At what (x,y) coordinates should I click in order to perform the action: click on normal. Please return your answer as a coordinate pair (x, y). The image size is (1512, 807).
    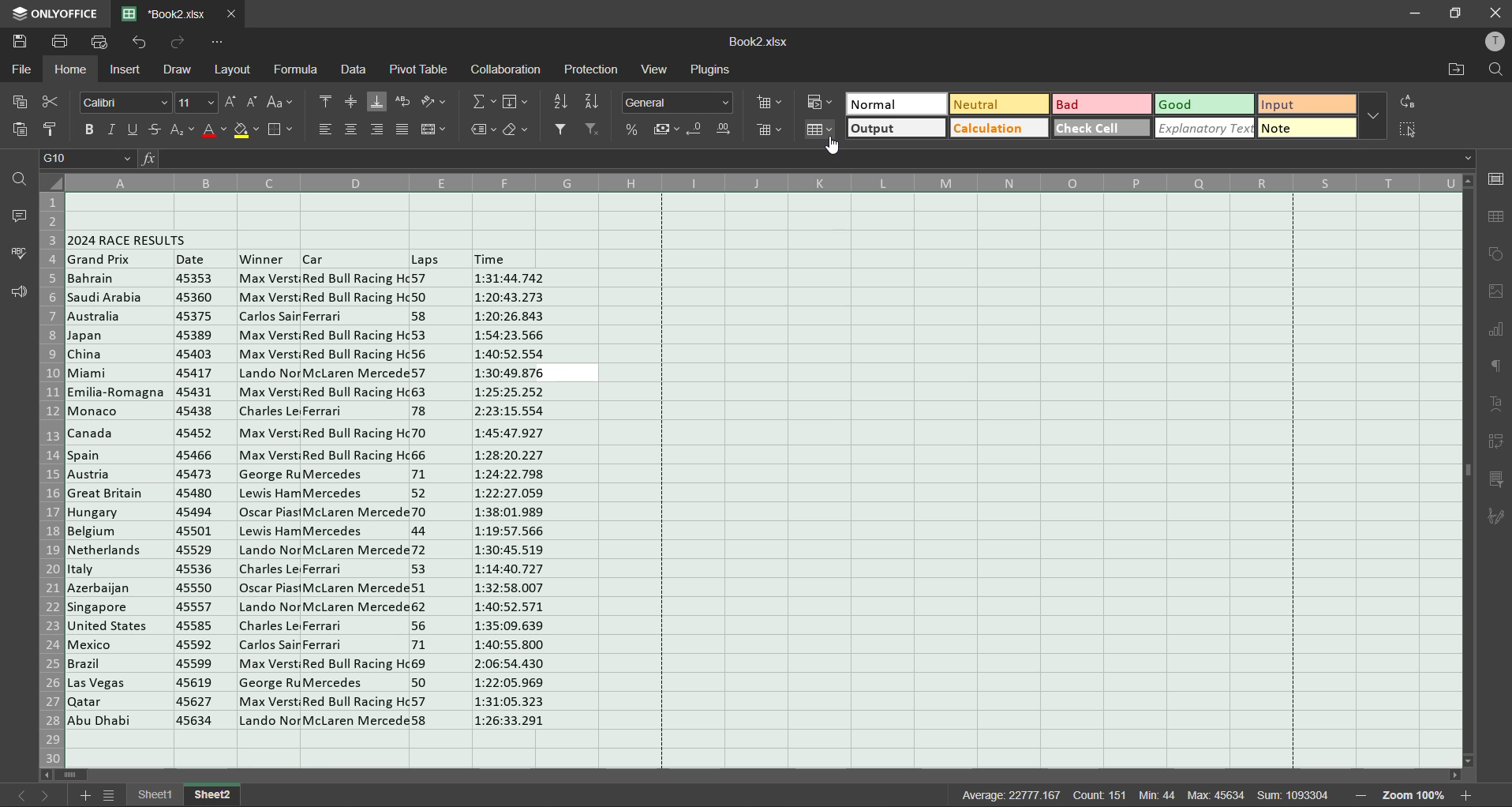
    Looking at the image, I should click on (897, 105).